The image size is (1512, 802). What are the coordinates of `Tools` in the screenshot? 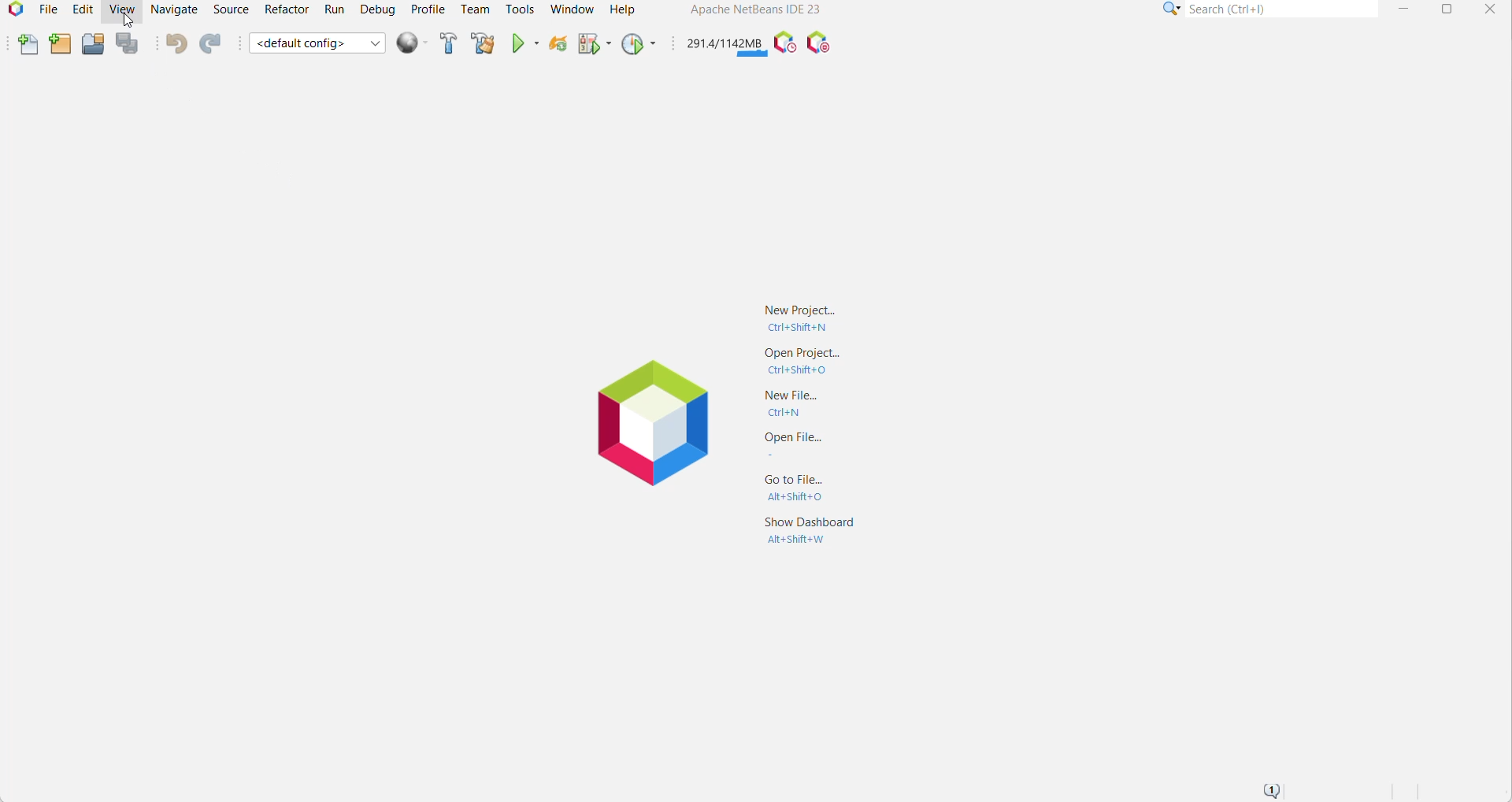 It's located at (519, 9).